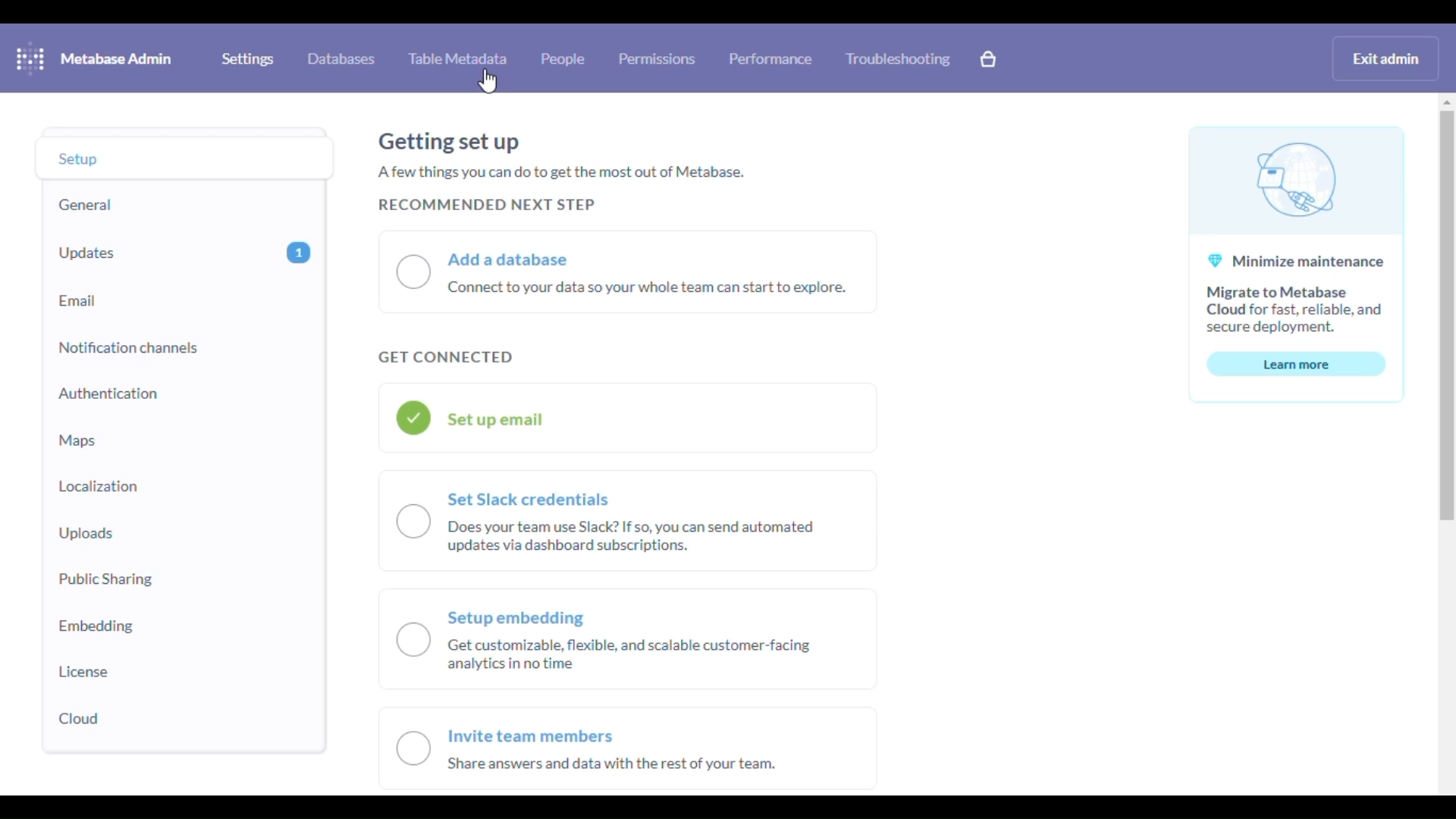 The image size is (1456, 819). What do you see at coordinates (989, 59) in the screenshot?
I see `explore paid features` at bounding box center [989, 59].